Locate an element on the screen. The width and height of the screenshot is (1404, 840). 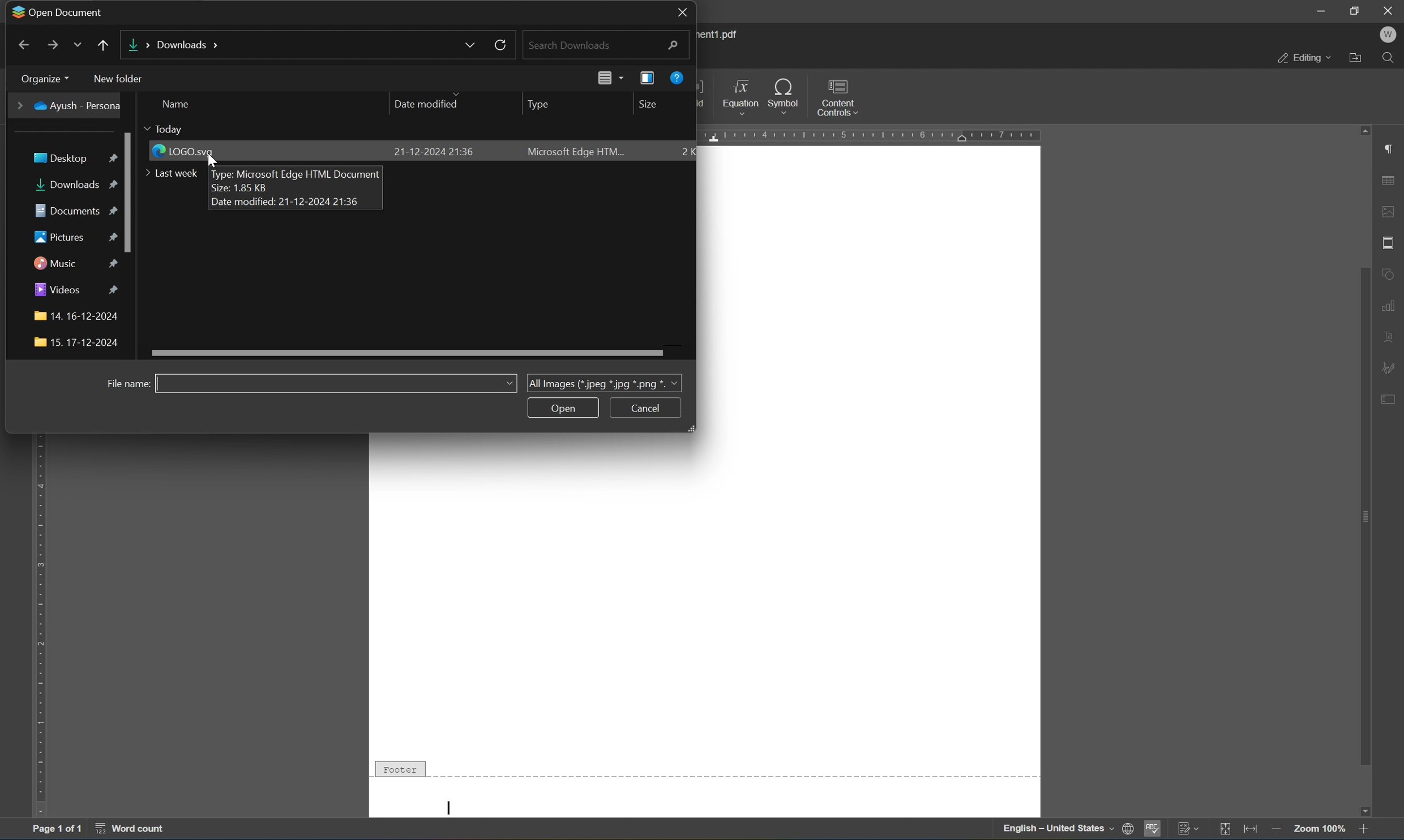
drop down is located at coordinates (472, 46).